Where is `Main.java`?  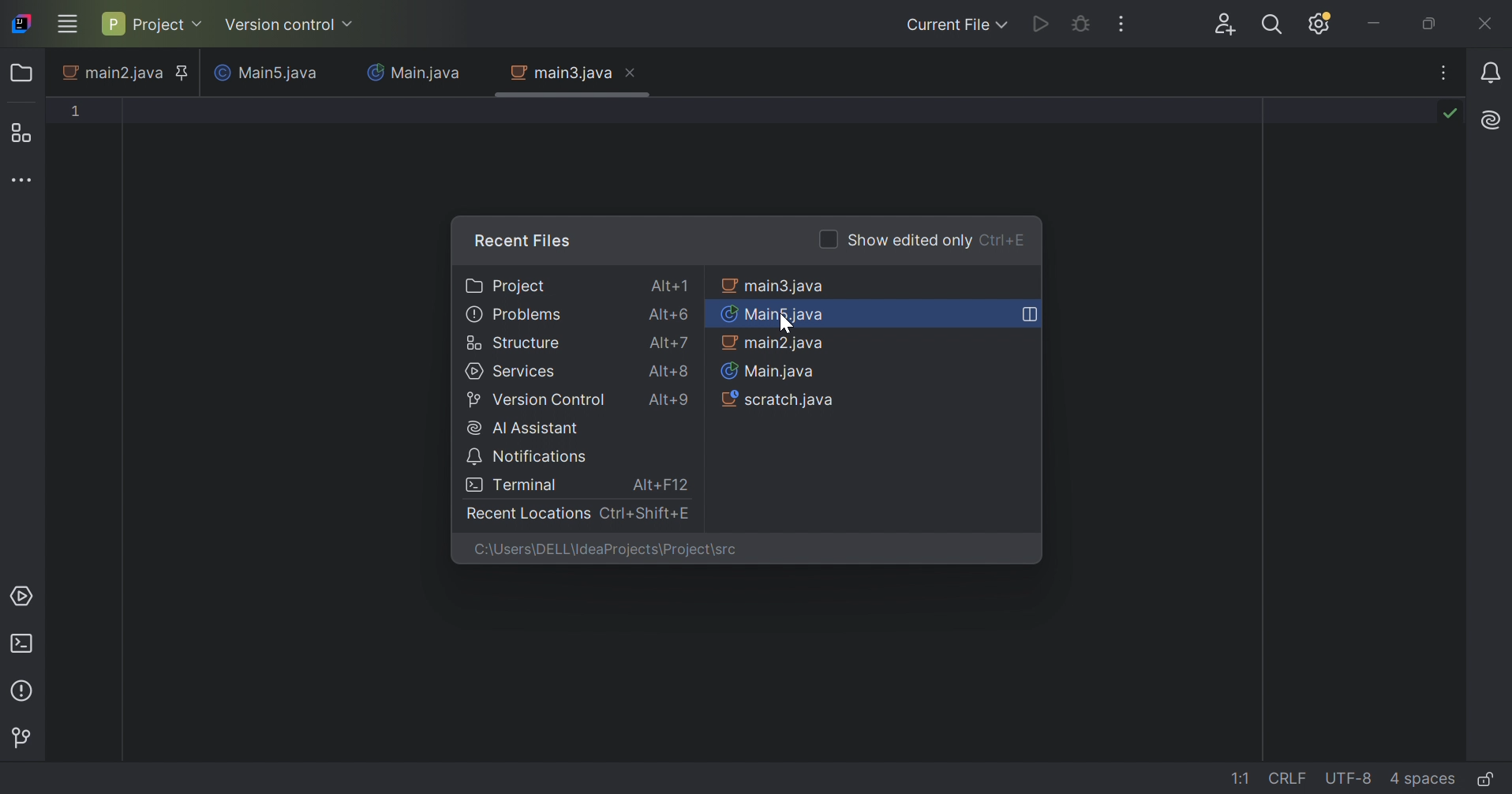
Main.java is located at coordinates (773, 373).